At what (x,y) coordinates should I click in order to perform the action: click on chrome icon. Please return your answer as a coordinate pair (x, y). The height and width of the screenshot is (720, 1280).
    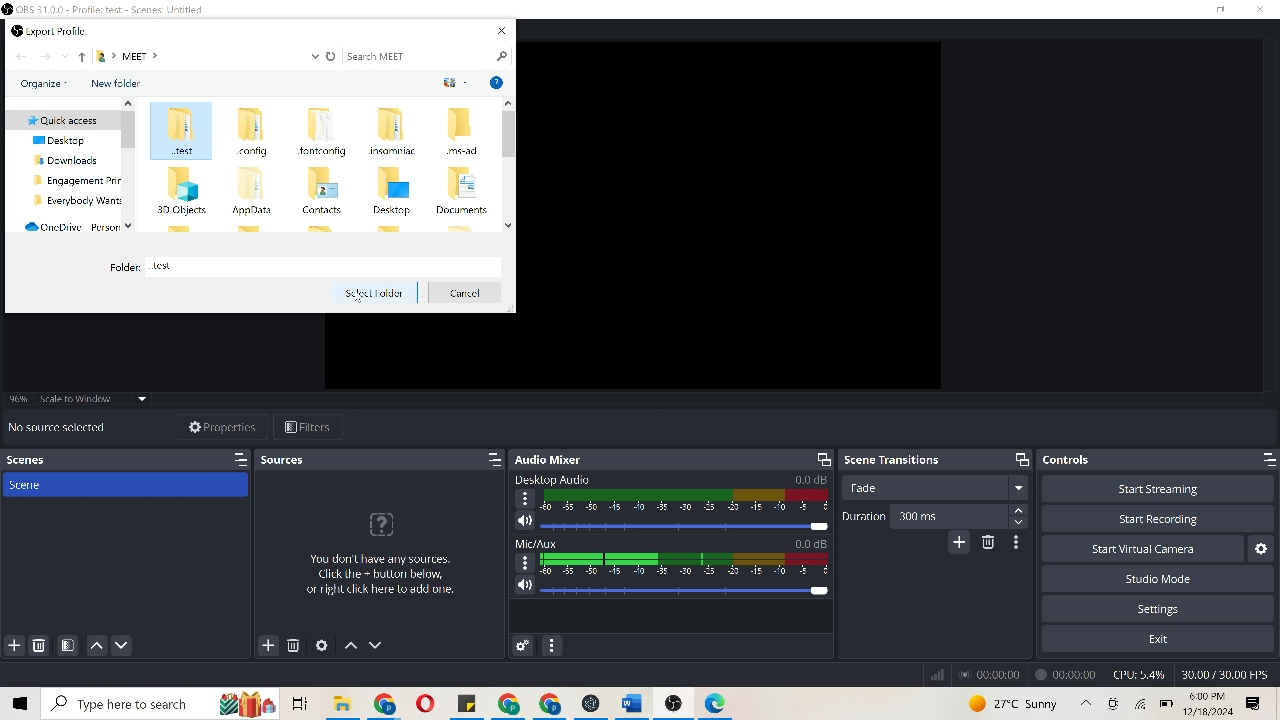
    Looking at the image, I should click on (533, 704).